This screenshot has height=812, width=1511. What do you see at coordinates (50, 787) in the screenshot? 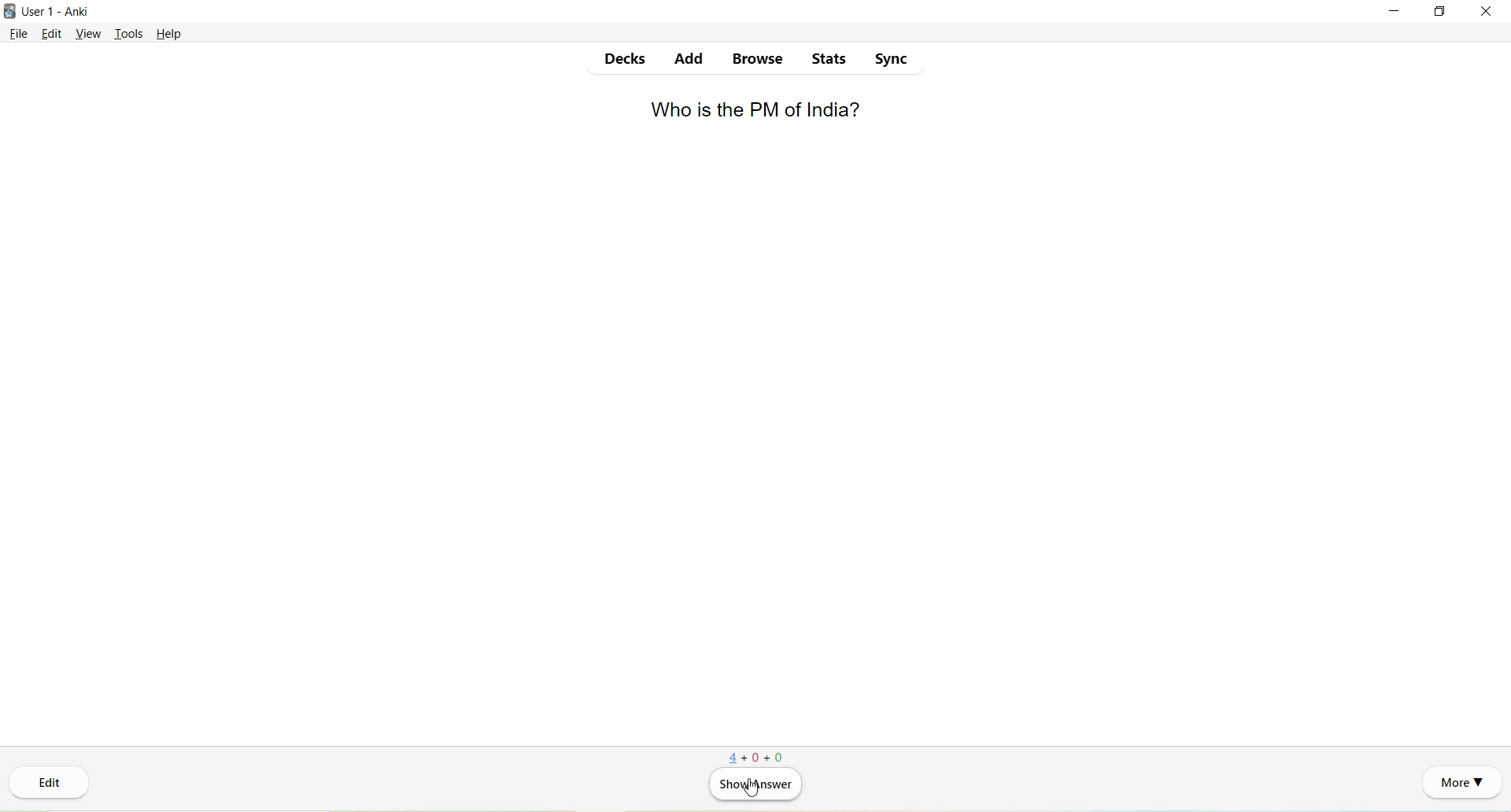
I see `Edit` at bounding box center [50, 787].